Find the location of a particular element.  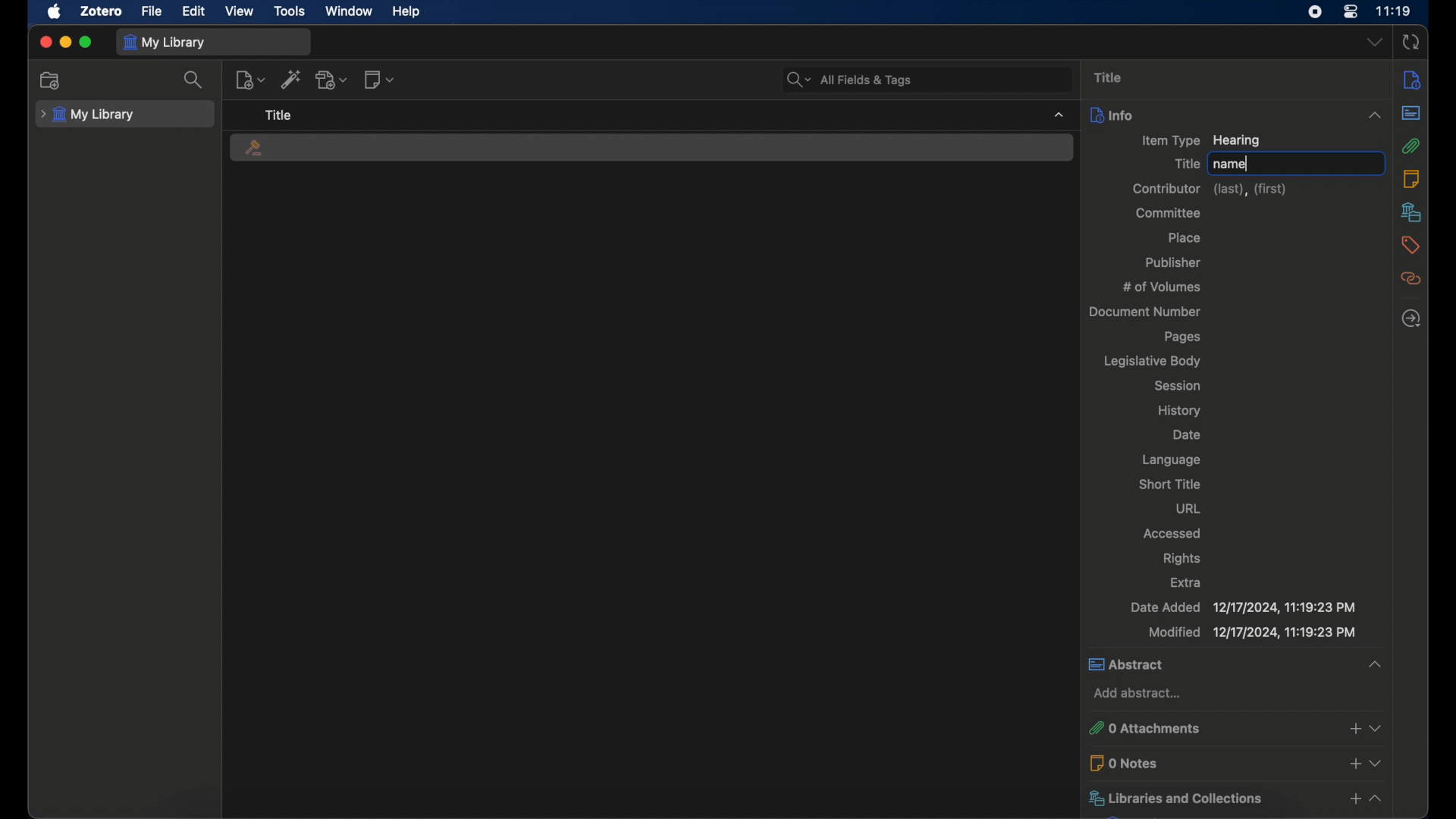

zotero is located at coordinates (99, 11).